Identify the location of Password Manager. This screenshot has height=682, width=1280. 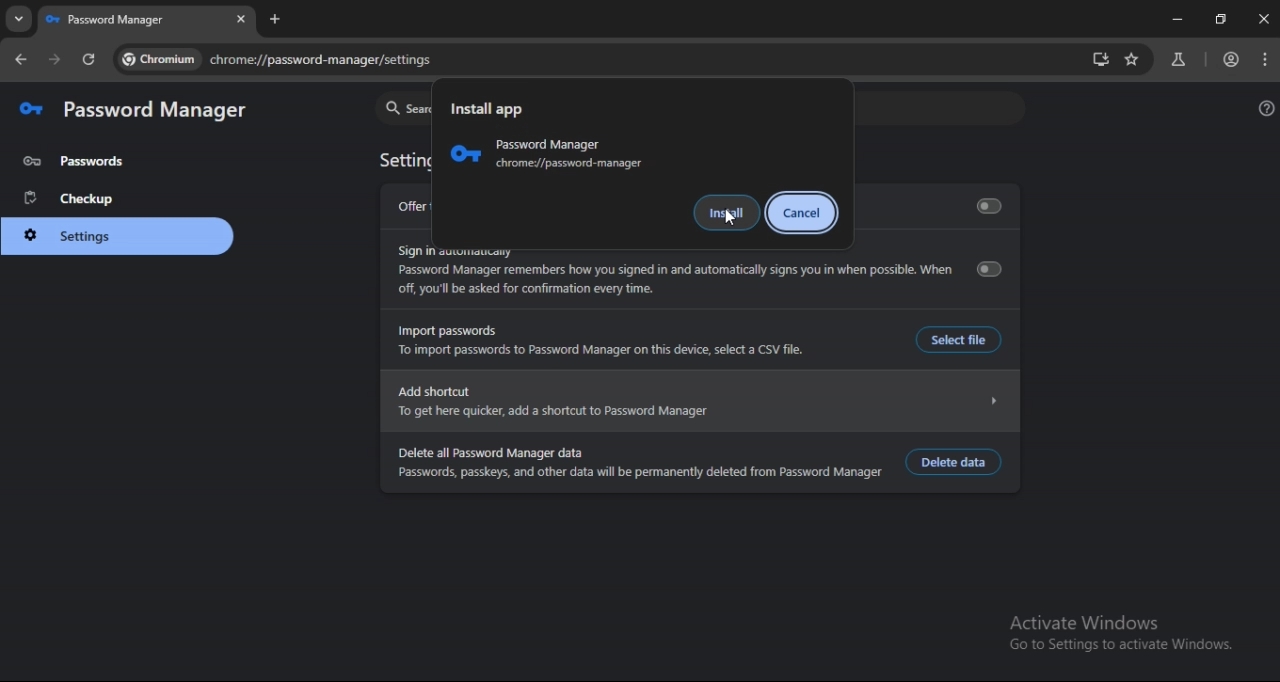
(570, 155).